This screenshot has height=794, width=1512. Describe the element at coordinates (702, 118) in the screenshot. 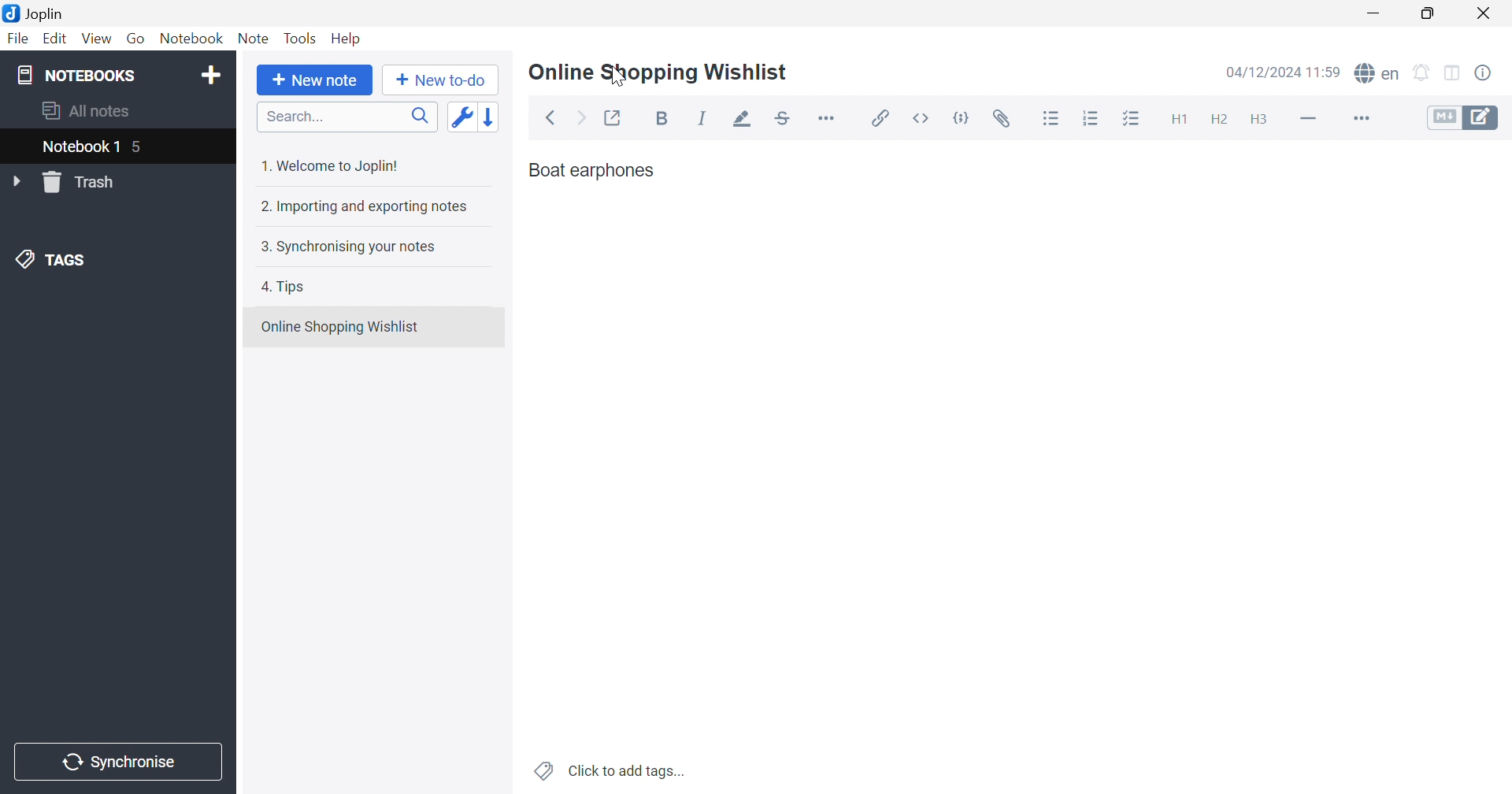

I see `Italic` at that location.